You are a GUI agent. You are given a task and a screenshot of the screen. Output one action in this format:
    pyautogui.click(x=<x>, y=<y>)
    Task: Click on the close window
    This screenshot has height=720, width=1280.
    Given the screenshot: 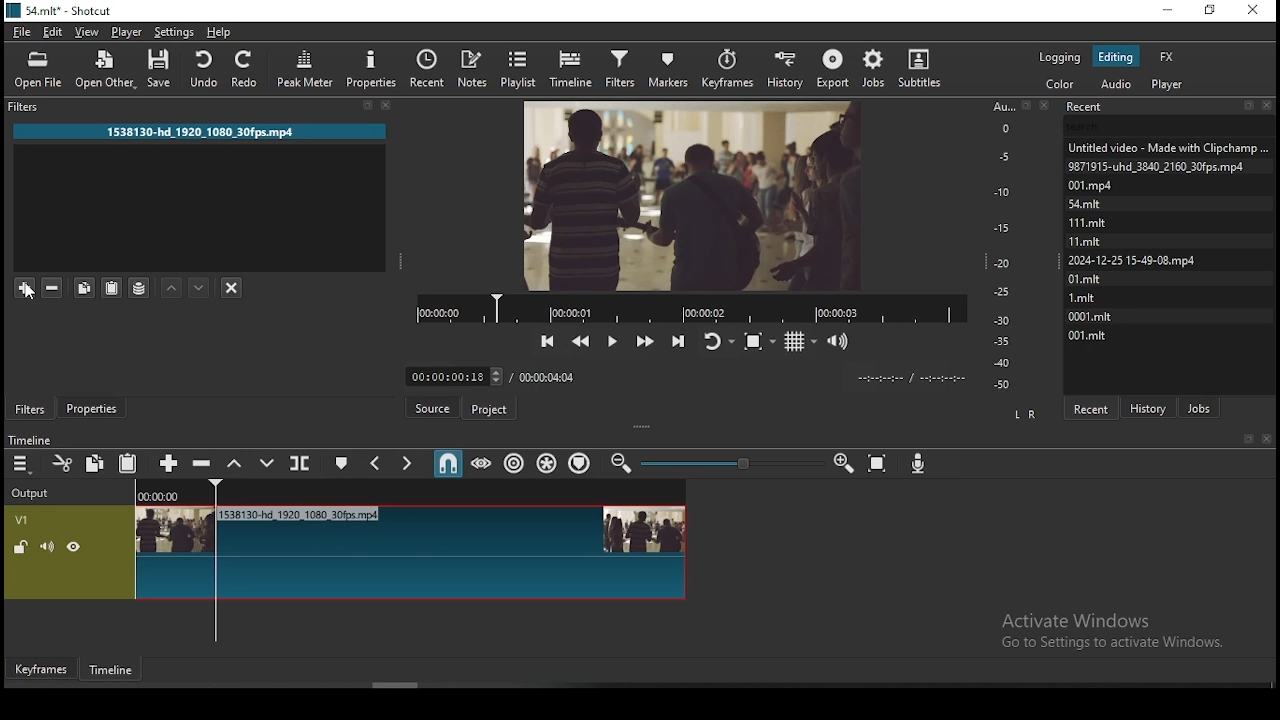 What is the action you would take?
    pyautogui.click(x=1257, y=11)
    